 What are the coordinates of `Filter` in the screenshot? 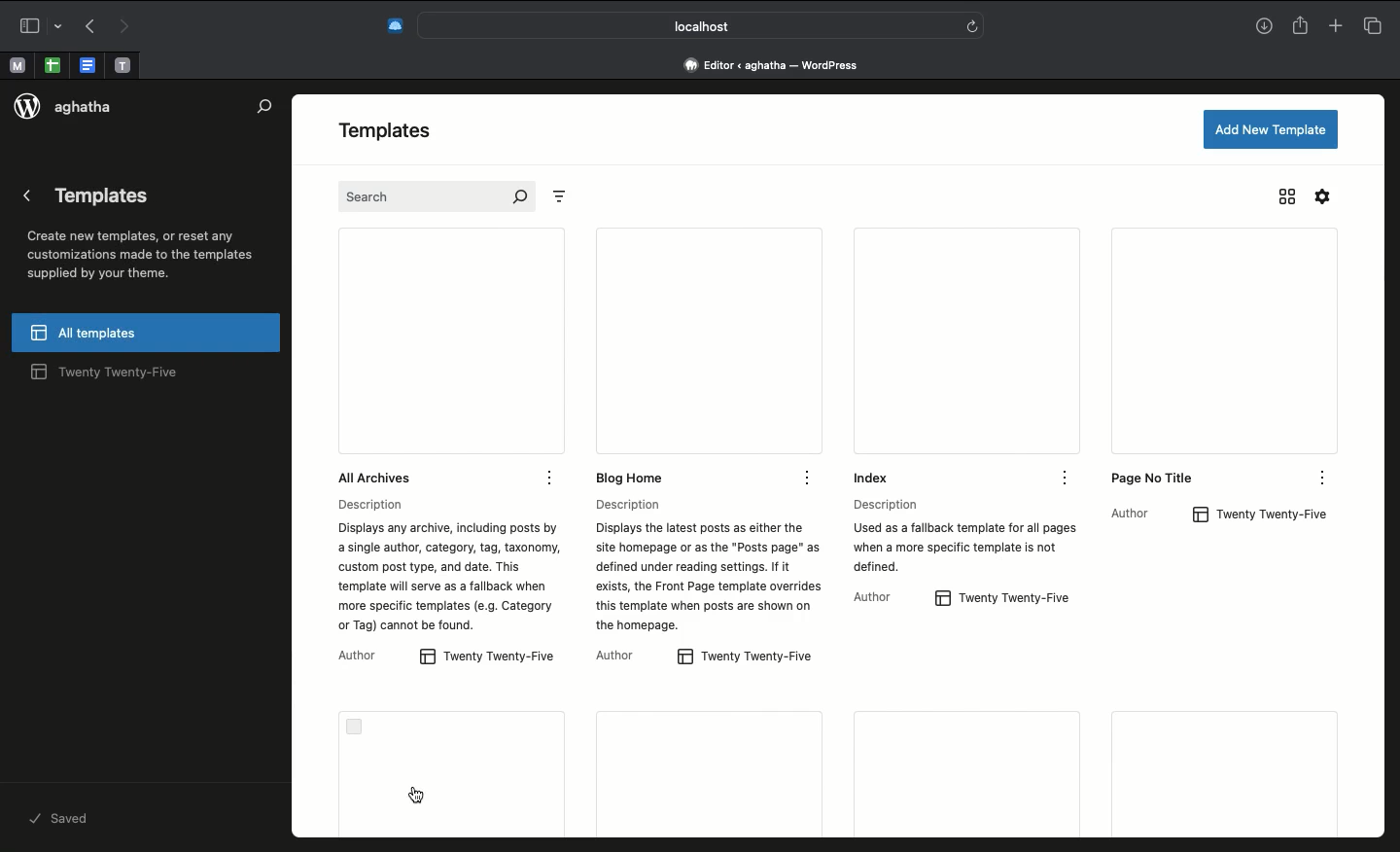 It's located at (561, 197).